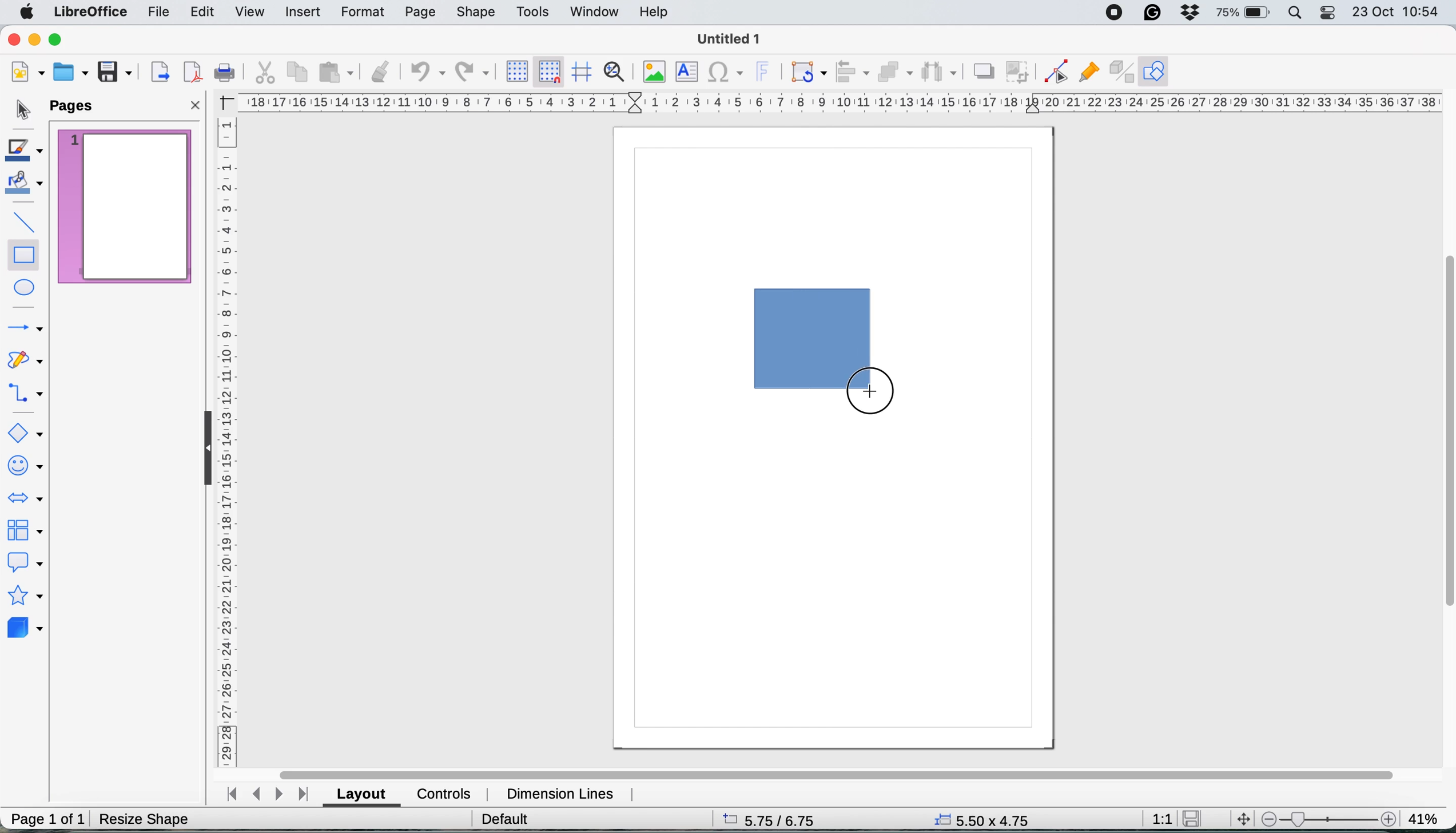 The image size is (1456, 833). I want to click on symbol shapes, so click(24, 463).